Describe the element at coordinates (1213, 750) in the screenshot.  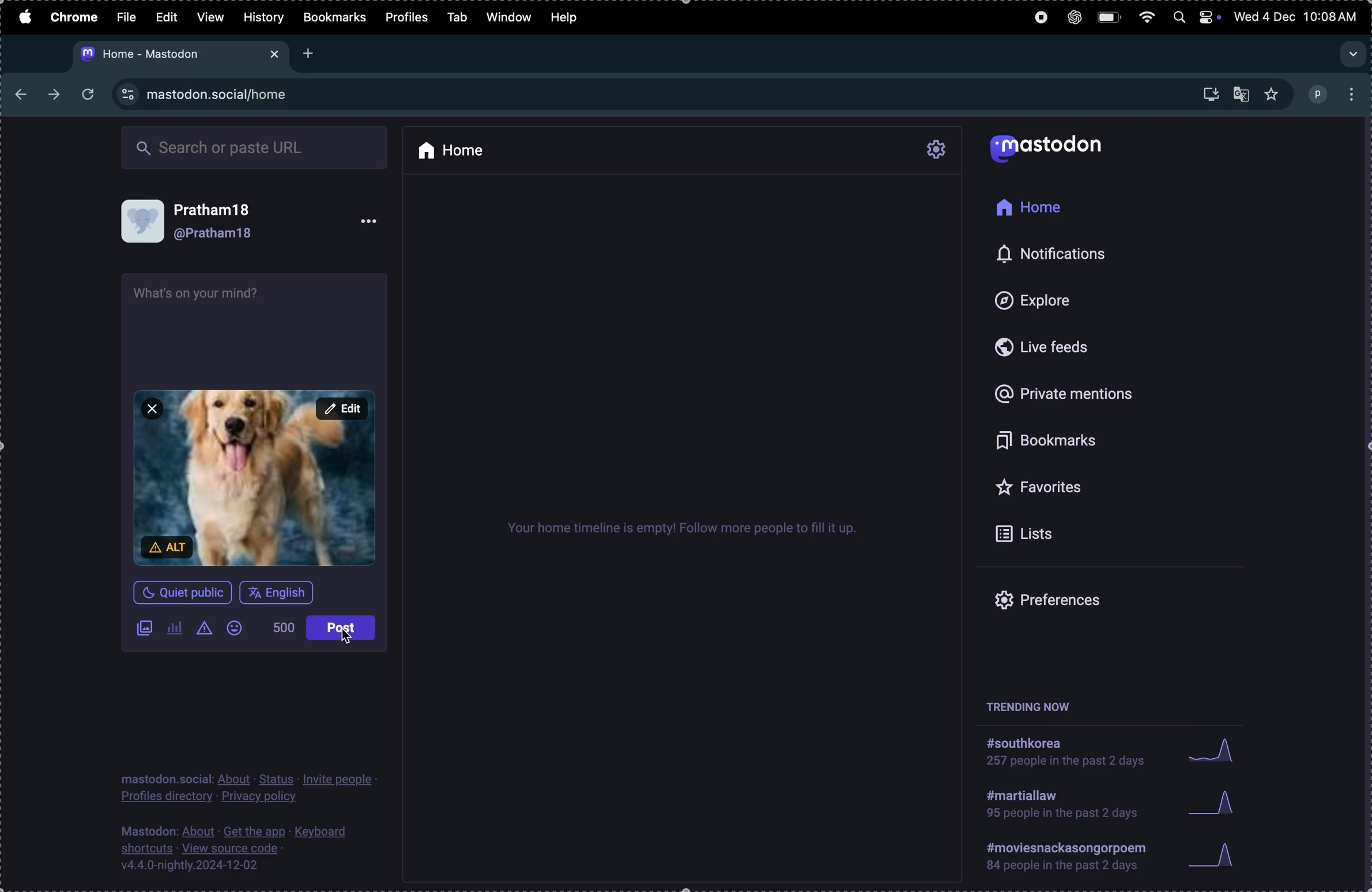
I see `Graph` at that location.